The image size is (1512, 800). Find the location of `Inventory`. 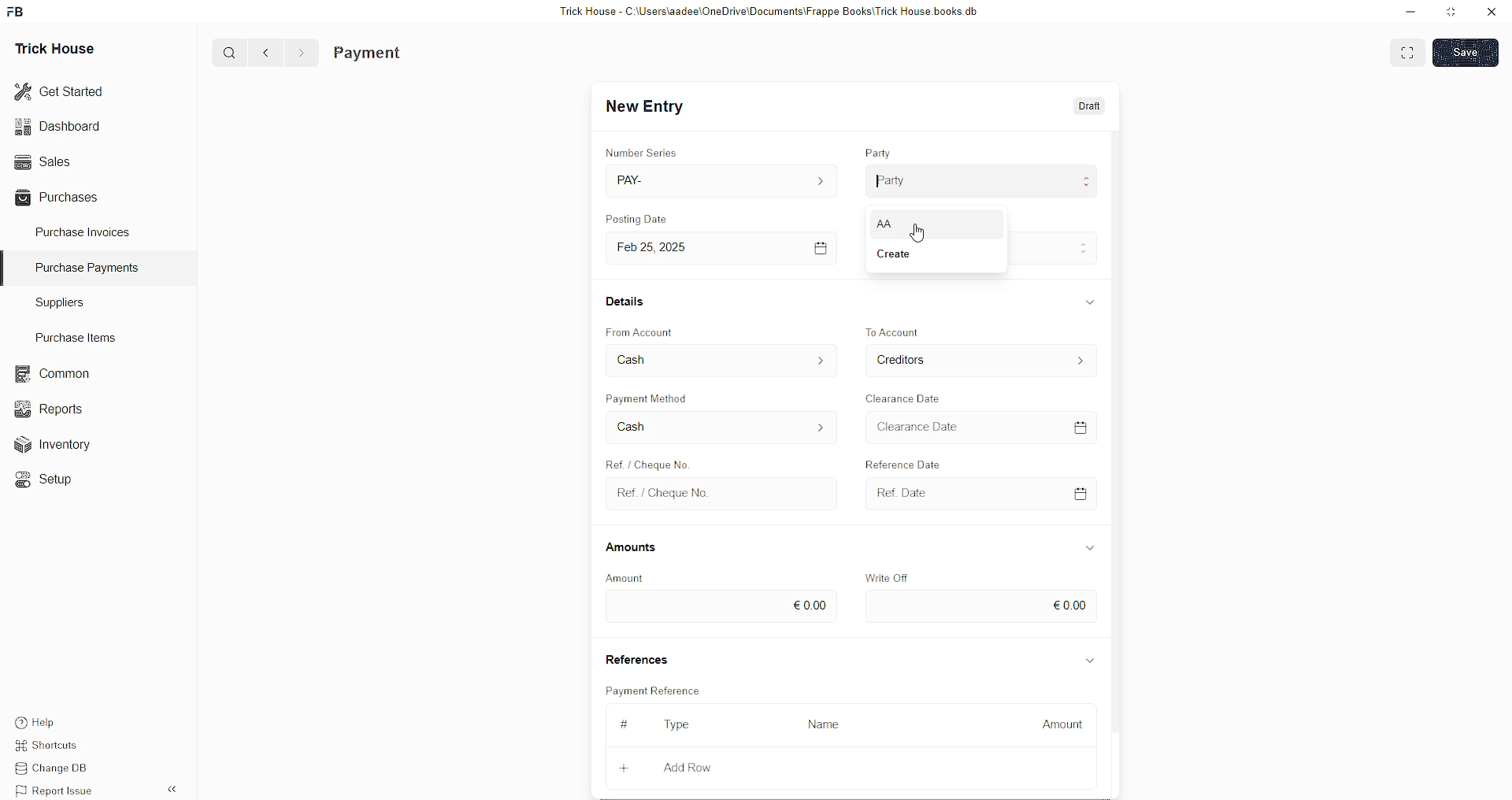

Inventory is located at coordinates (61, 448).